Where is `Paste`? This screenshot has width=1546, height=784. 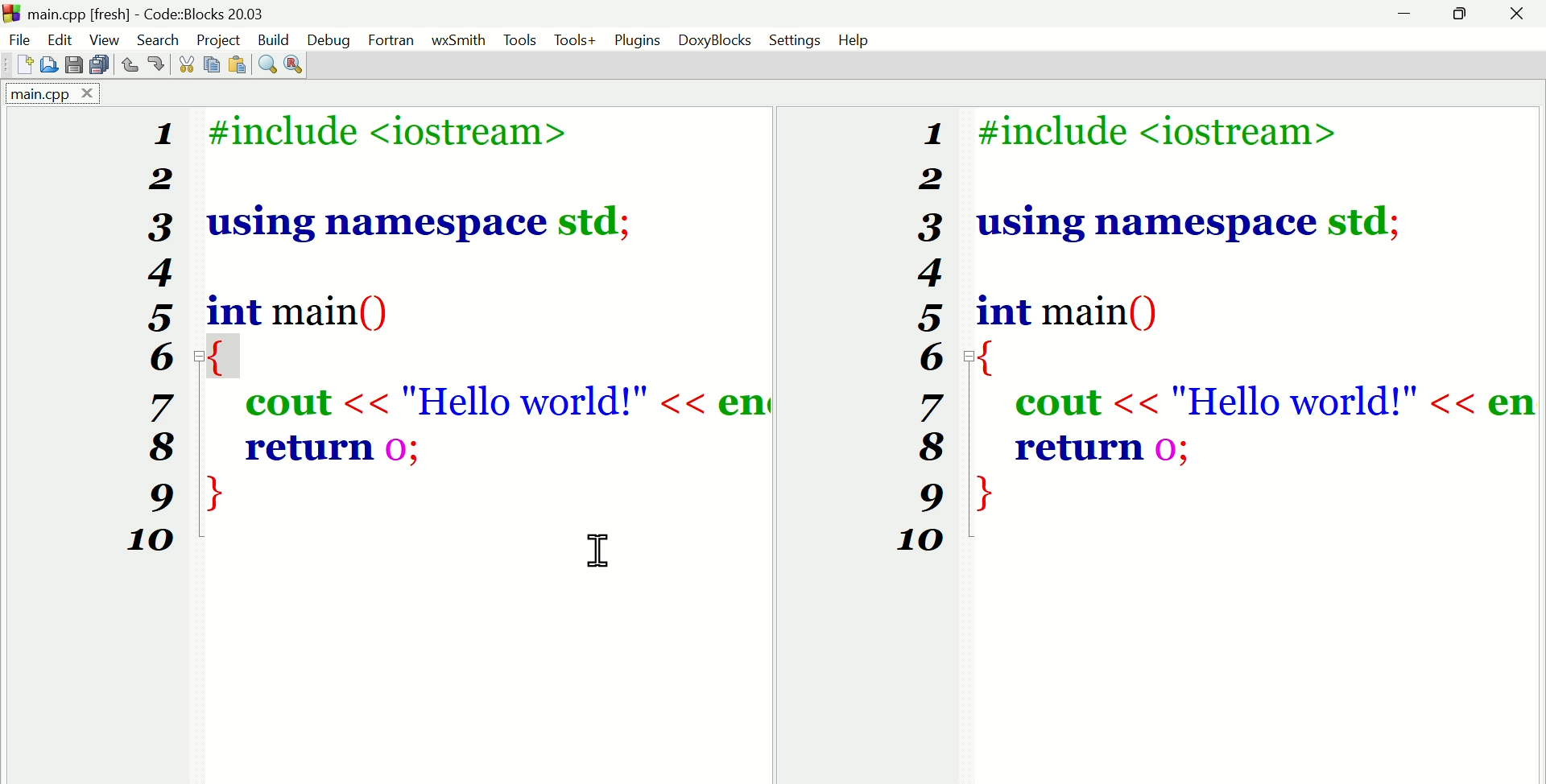
Paste is located at coordinates (241, 62).